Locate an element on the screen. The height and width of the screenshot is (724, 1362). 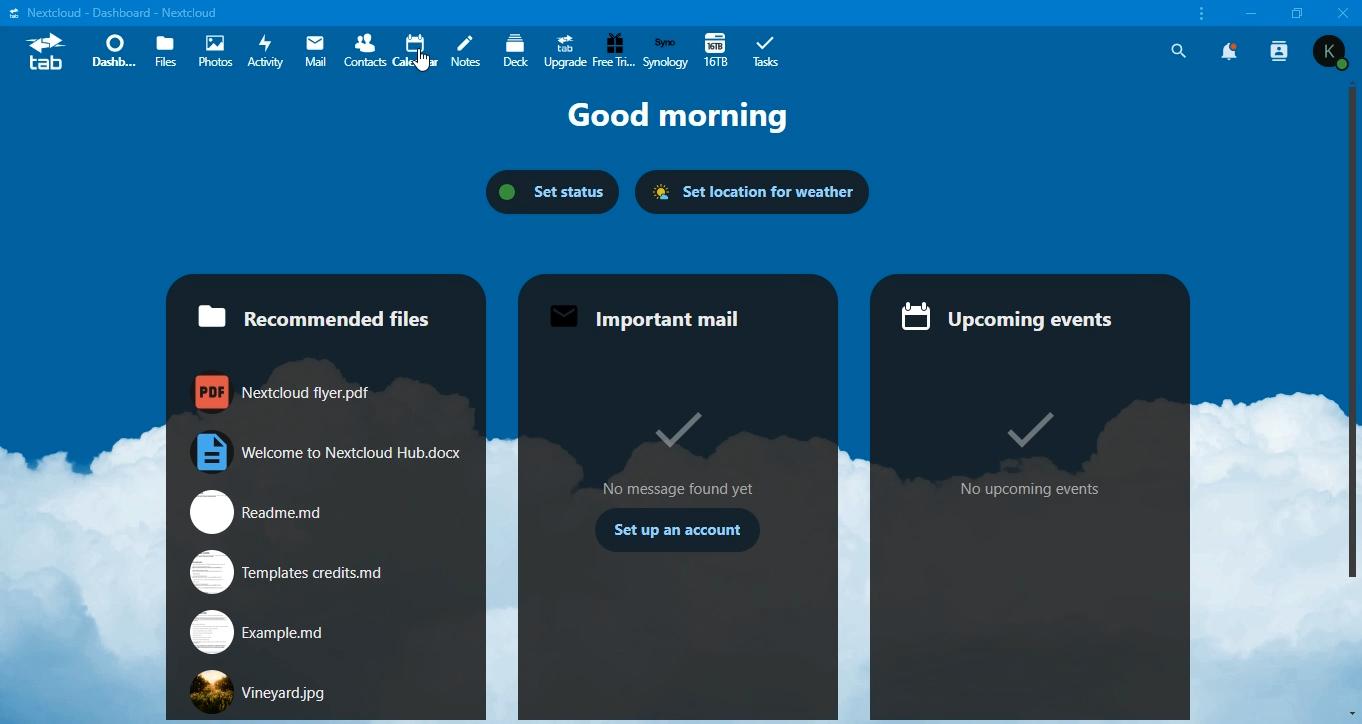
No message found yet is located at coordinates (680, 488).